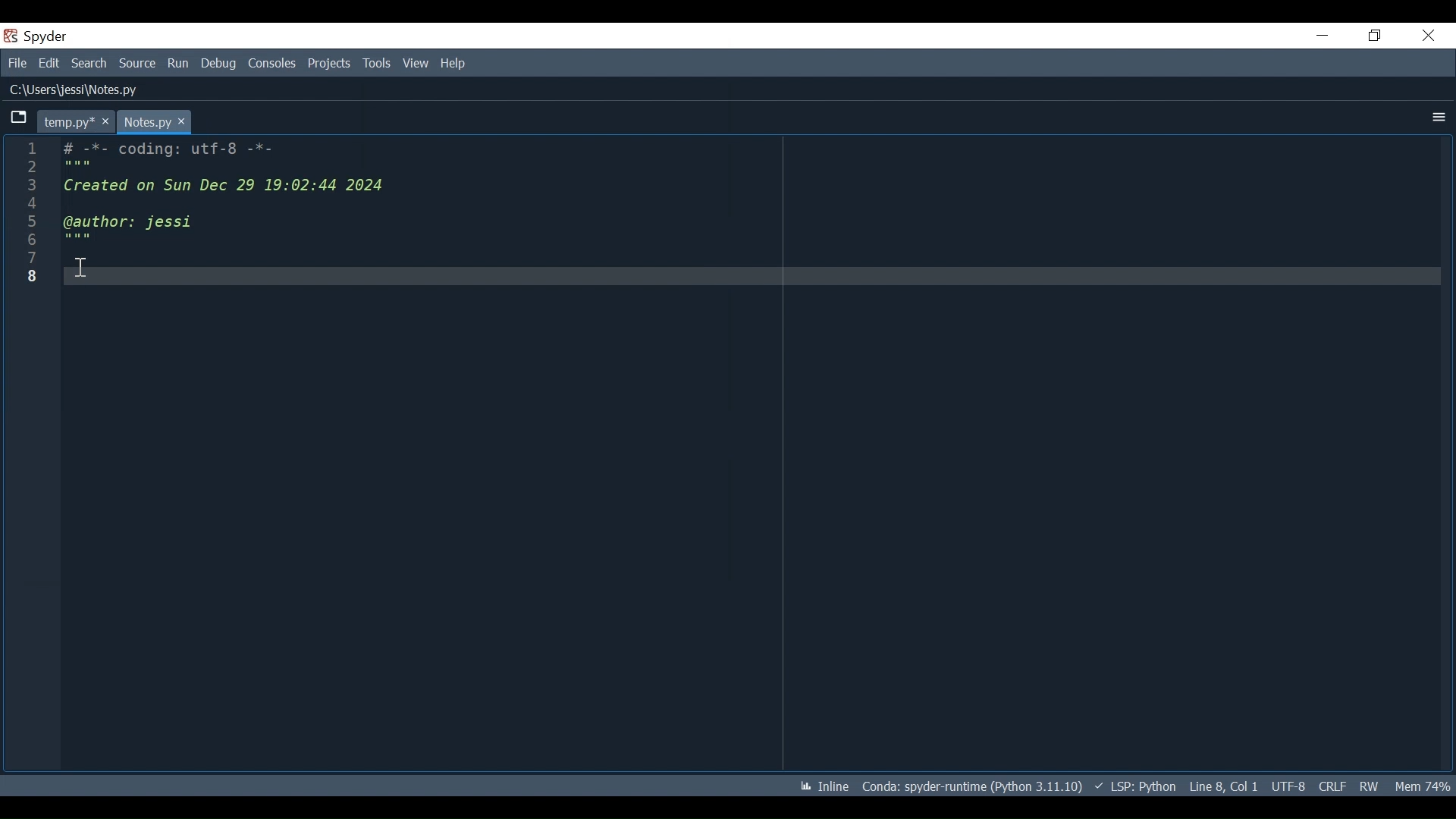  Describe the element at coordinates (377, 63) in the screenshot. I see `Tools` at that location.